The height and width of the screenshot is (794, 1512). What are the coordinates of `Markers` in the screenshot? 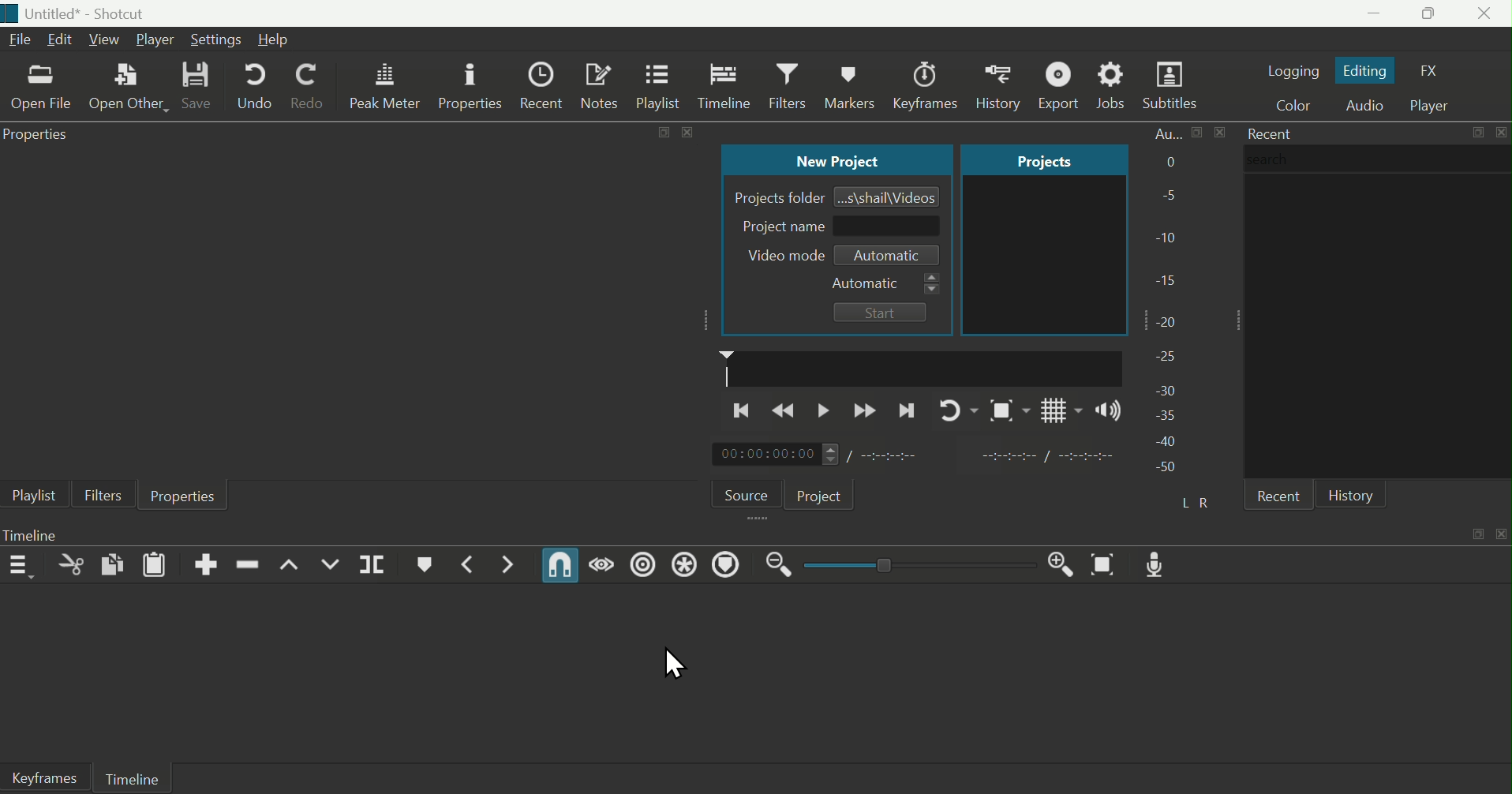 It's located at (926, 79).